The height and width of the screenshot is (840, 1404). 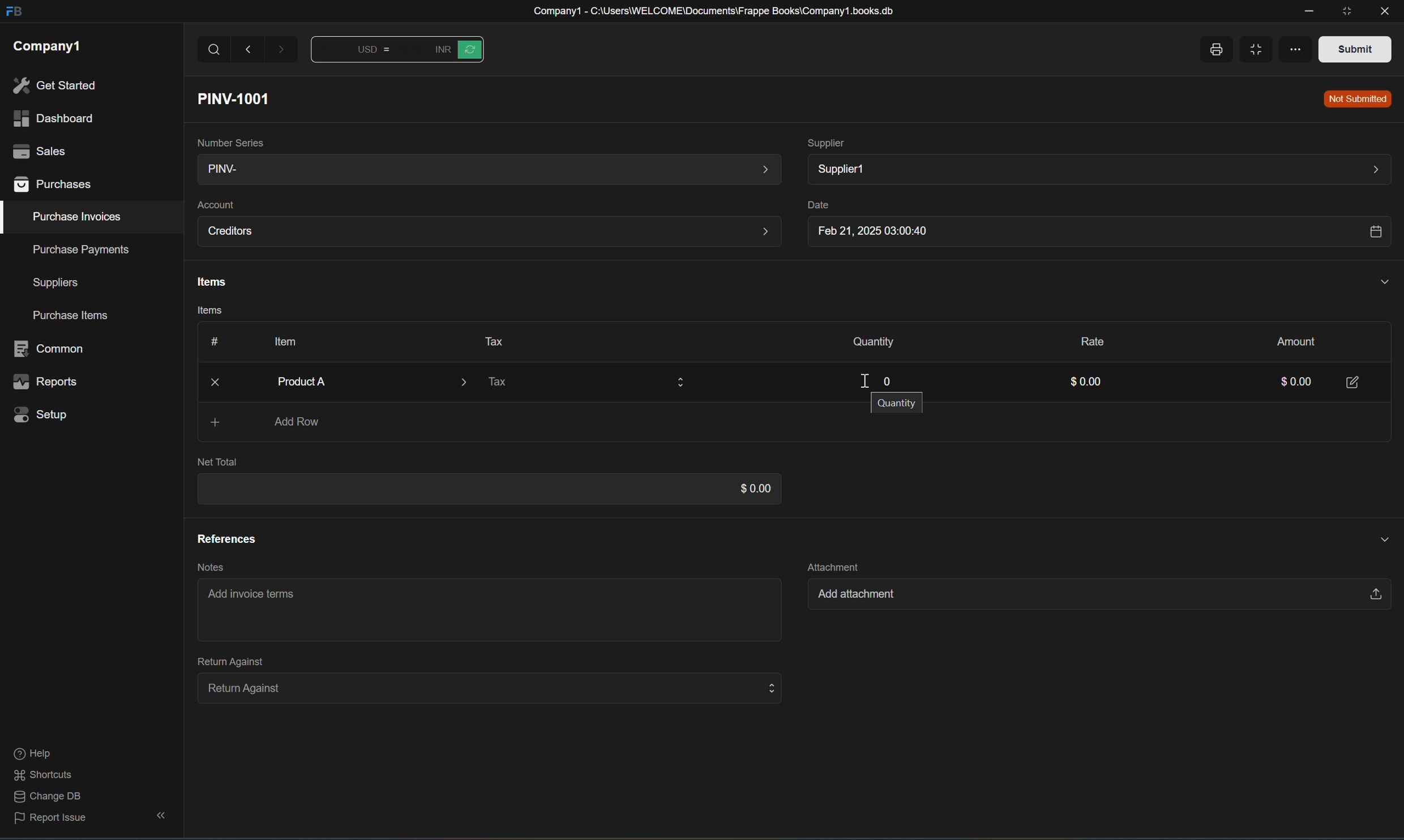 I want to click on 0, so click(x=885, y=379).